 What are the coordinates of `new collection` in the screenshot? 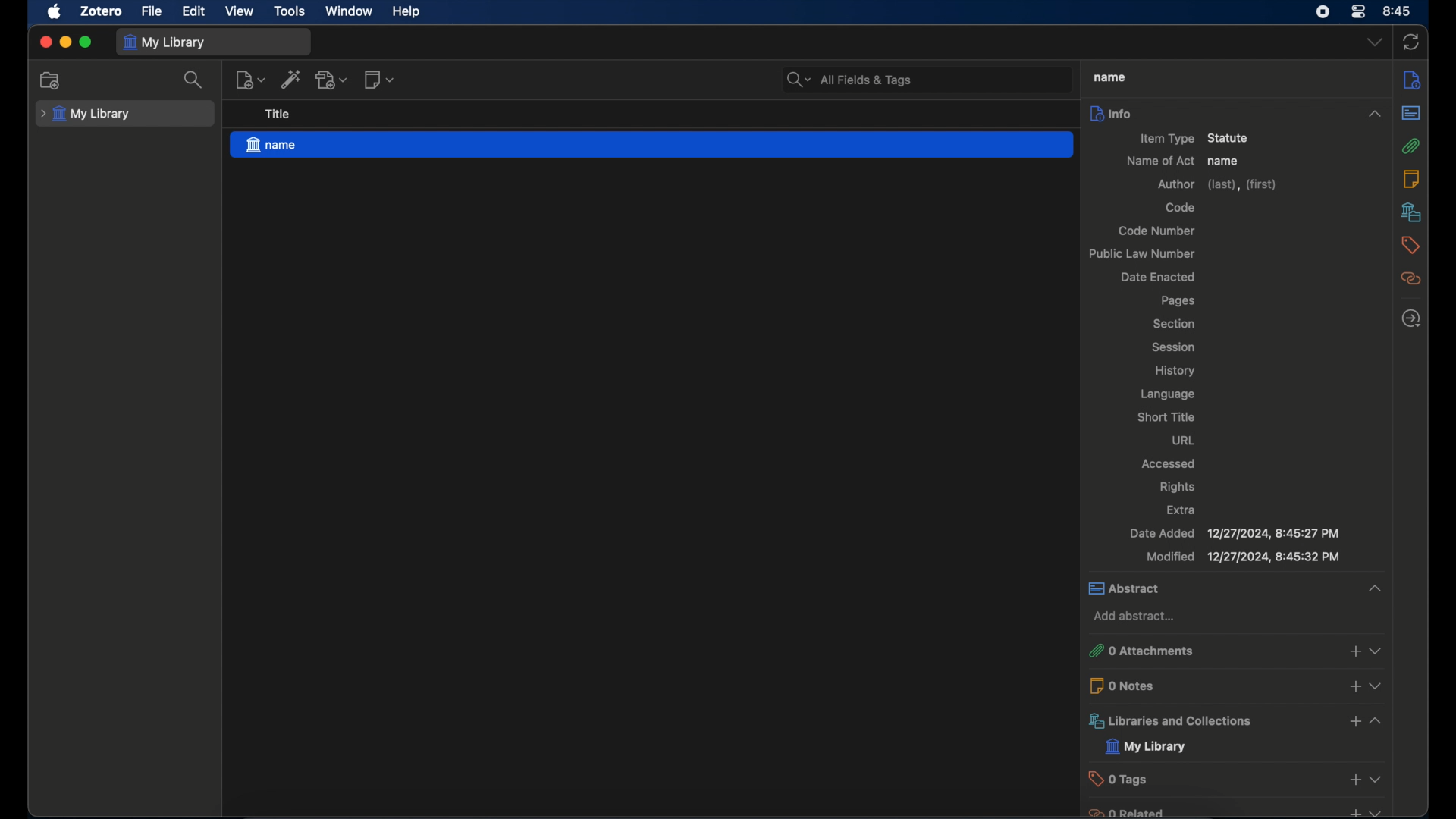 It's located at (51, 80).